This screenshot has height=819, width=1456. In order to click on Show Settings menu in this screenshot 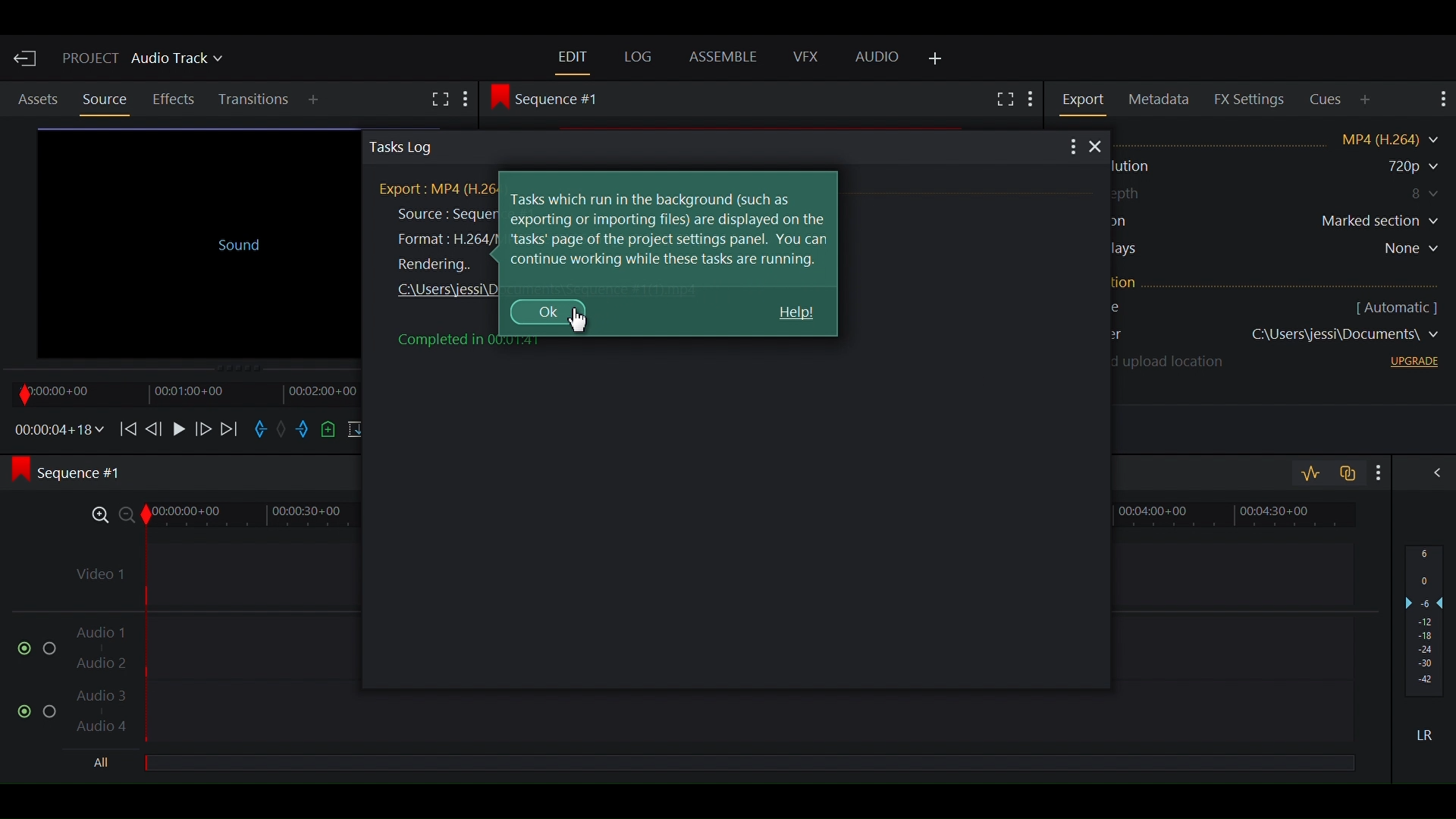, I will do `click(1031, 101)`.